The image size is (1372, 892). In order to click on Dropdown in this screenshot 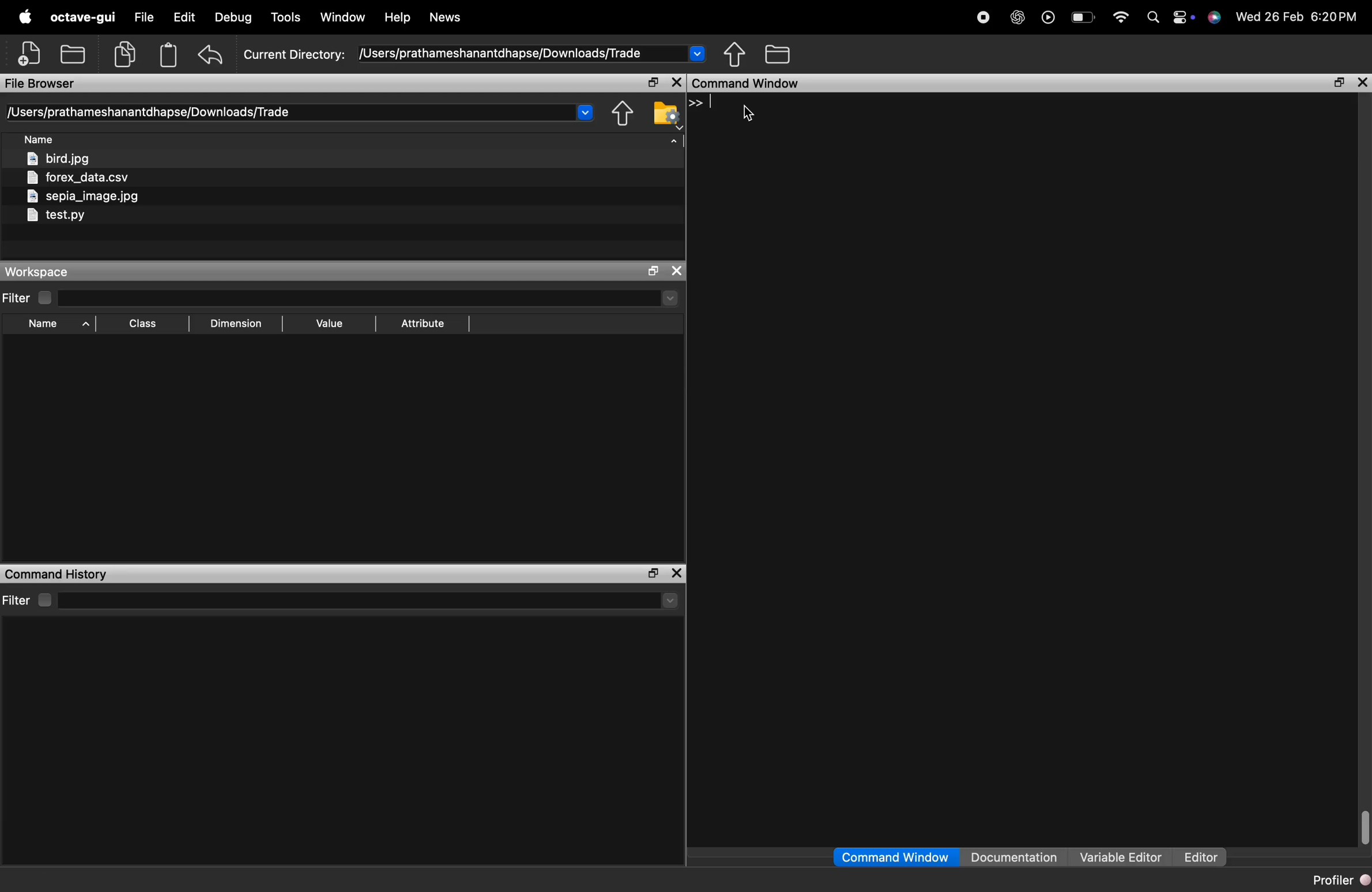, I will do `click(670, 602)`.